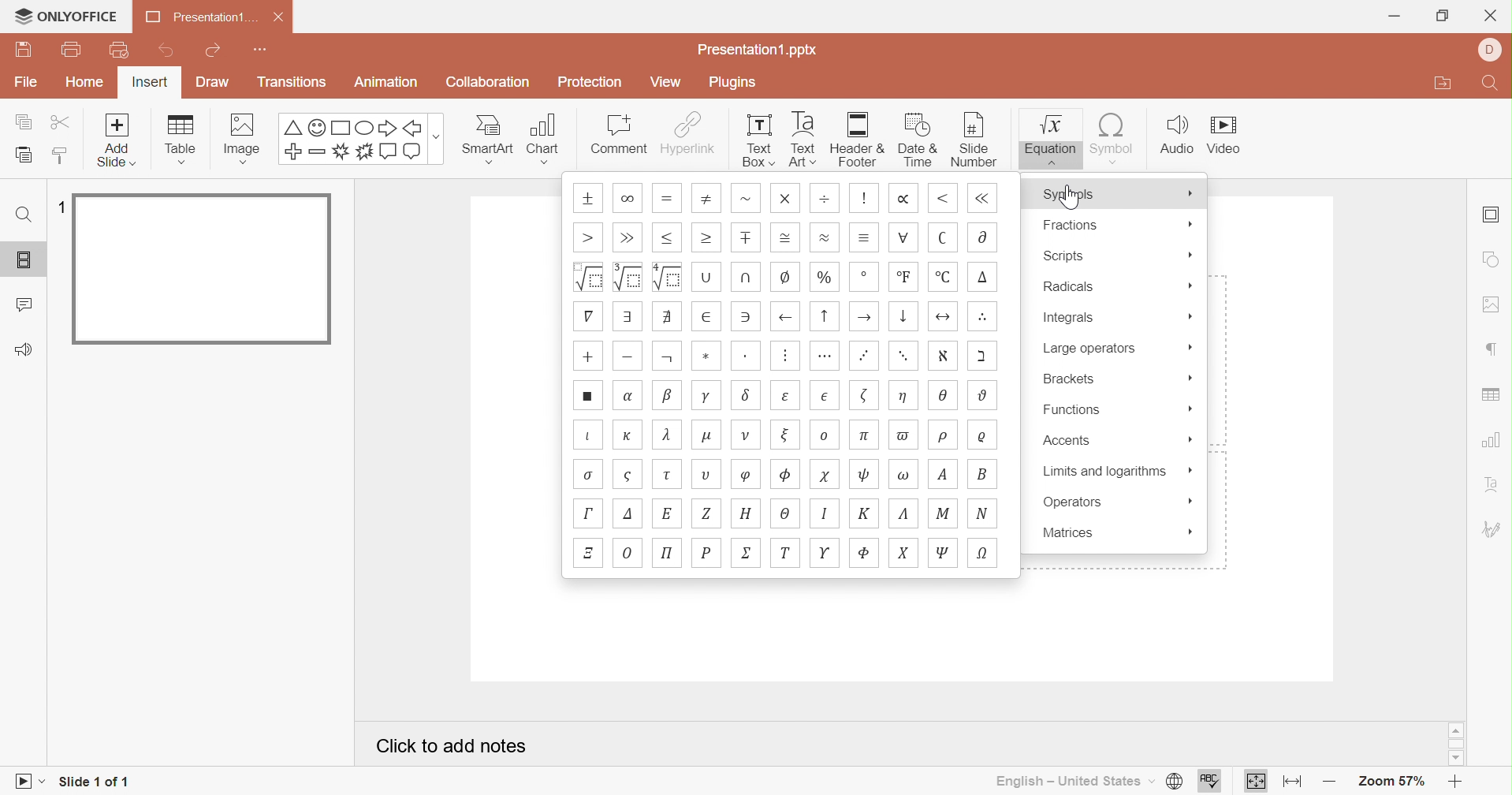 The height and width of the screenshot is (795, 1512). Describe the element at coordinates (1177, 135) in the screenshot. I see `Audio` at that location.